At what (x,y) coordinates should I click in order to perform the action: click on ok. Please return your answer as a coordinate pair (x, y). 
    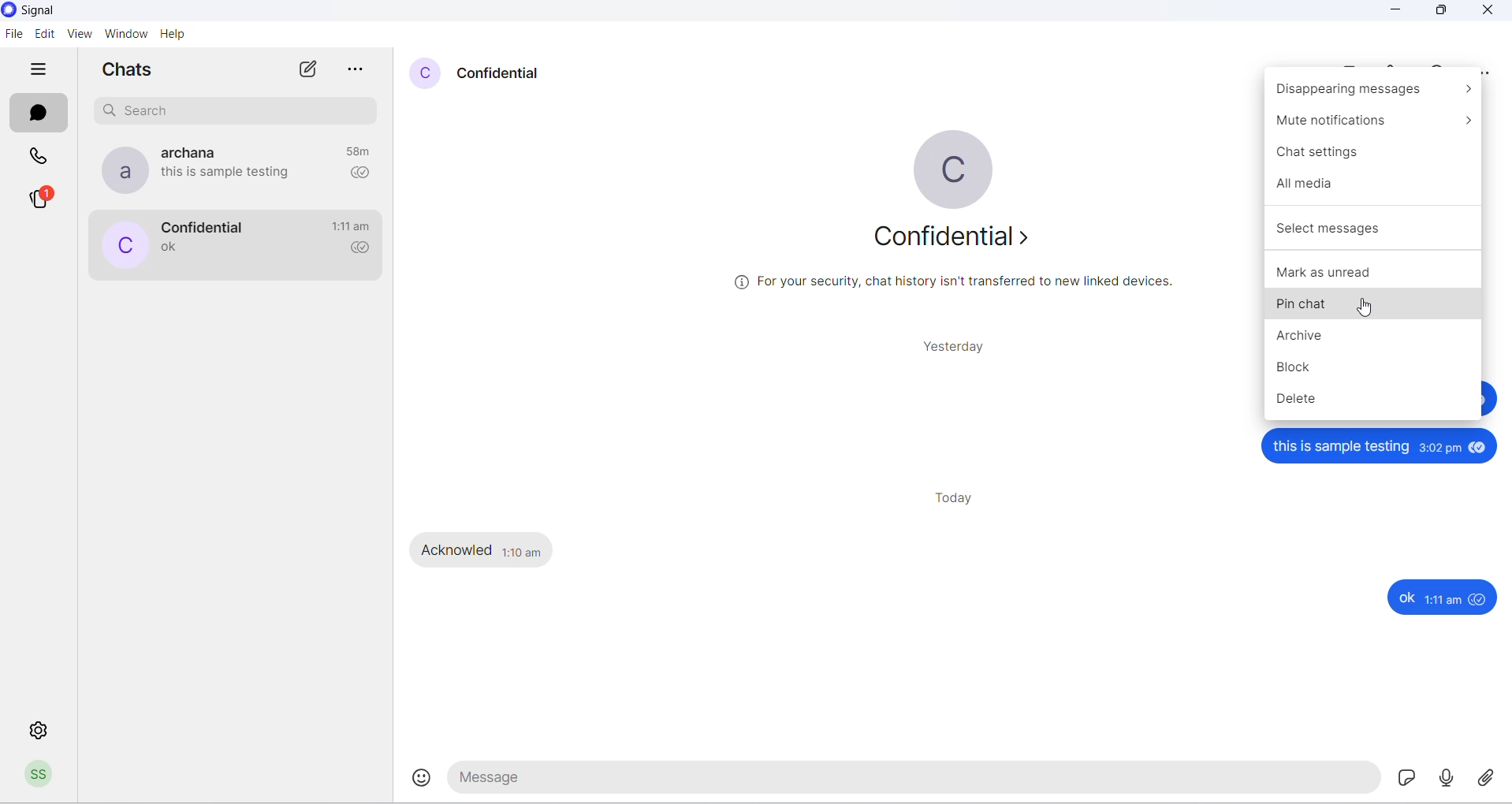
    Looking at the image, I should click on (1406, 597).